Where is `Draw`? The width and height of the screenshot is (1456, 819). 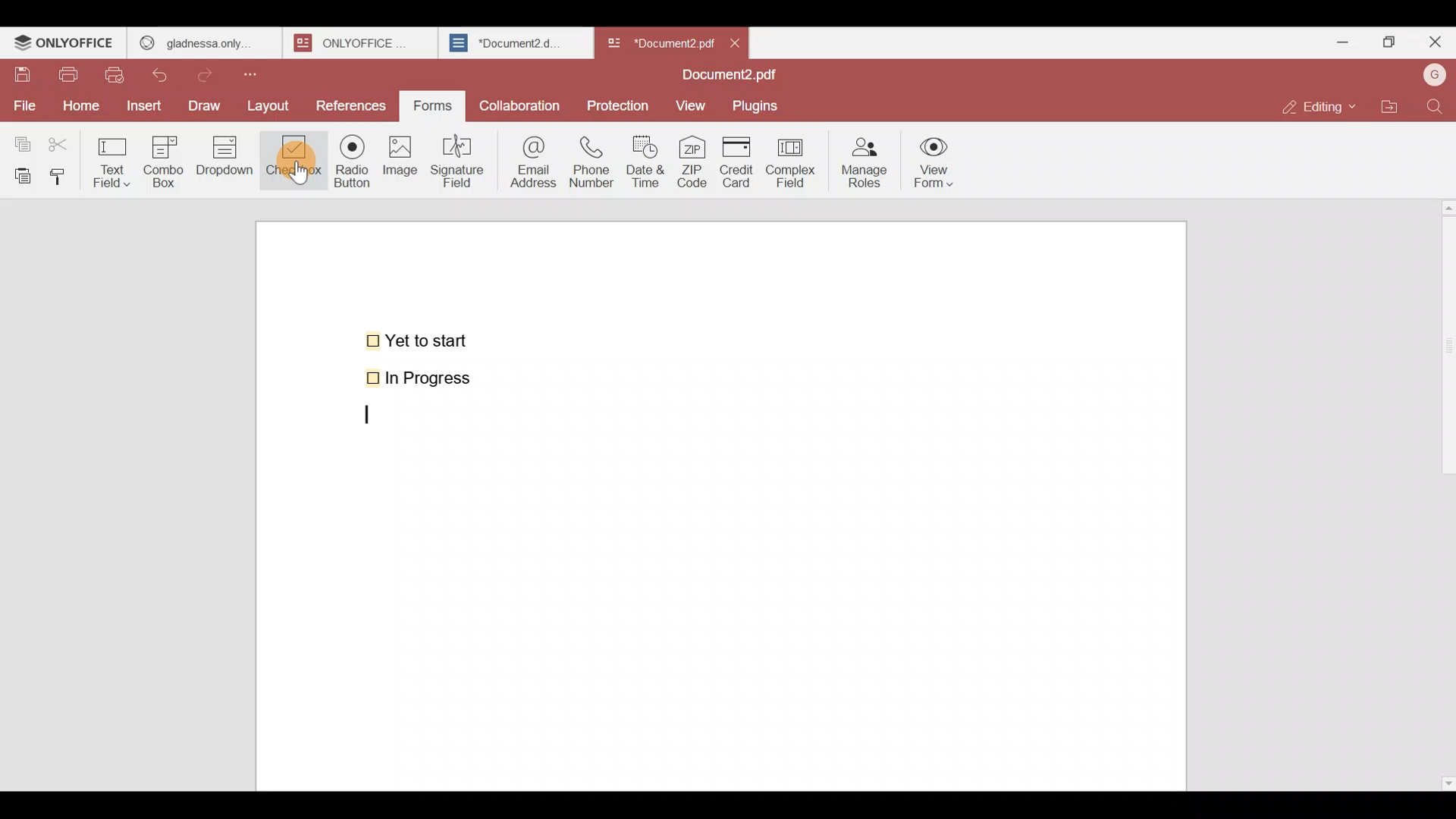
Draw is located at coordinates (209, 104).